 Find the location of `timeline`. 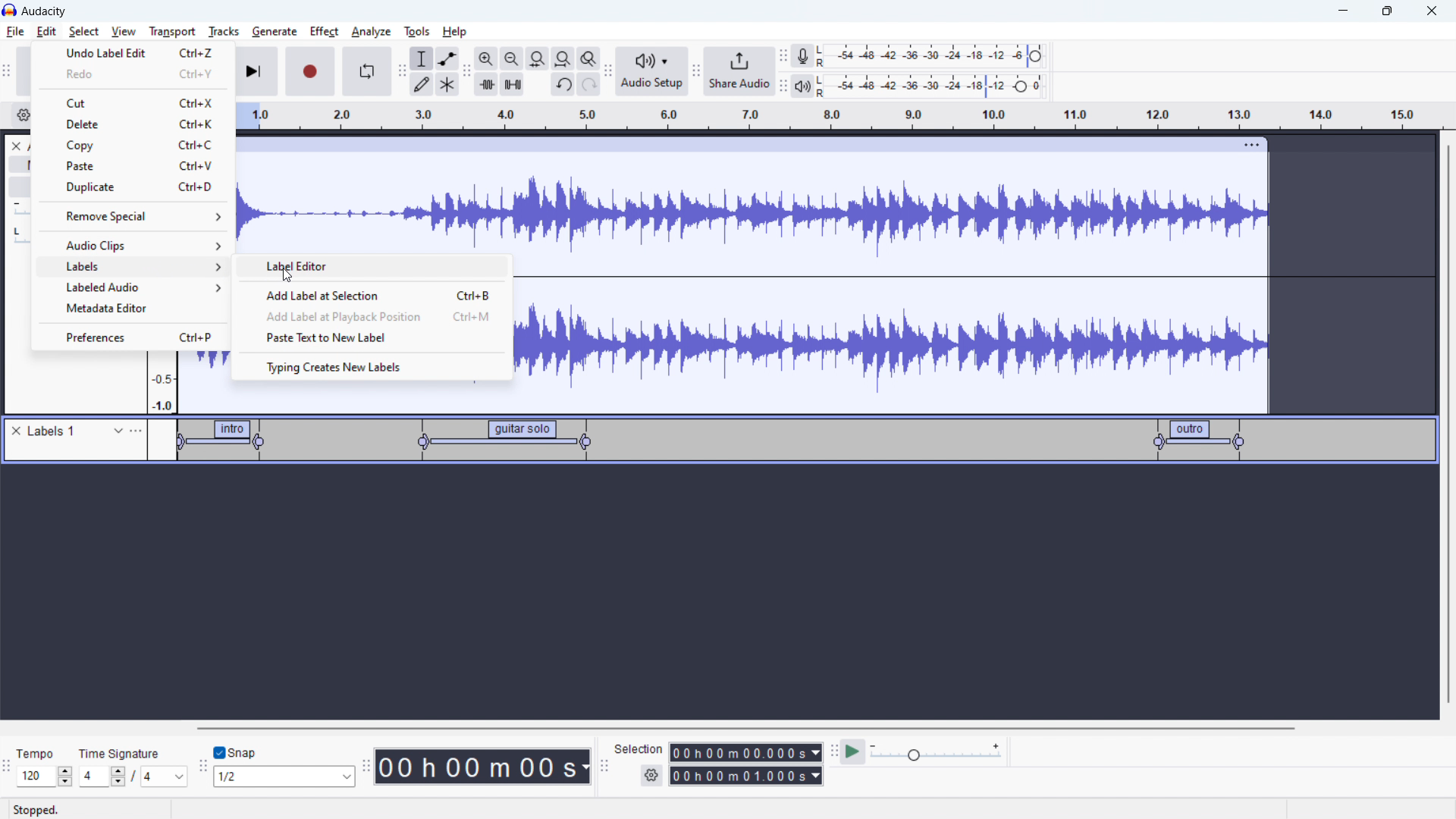

timeline is located at coordinates (724, 594).